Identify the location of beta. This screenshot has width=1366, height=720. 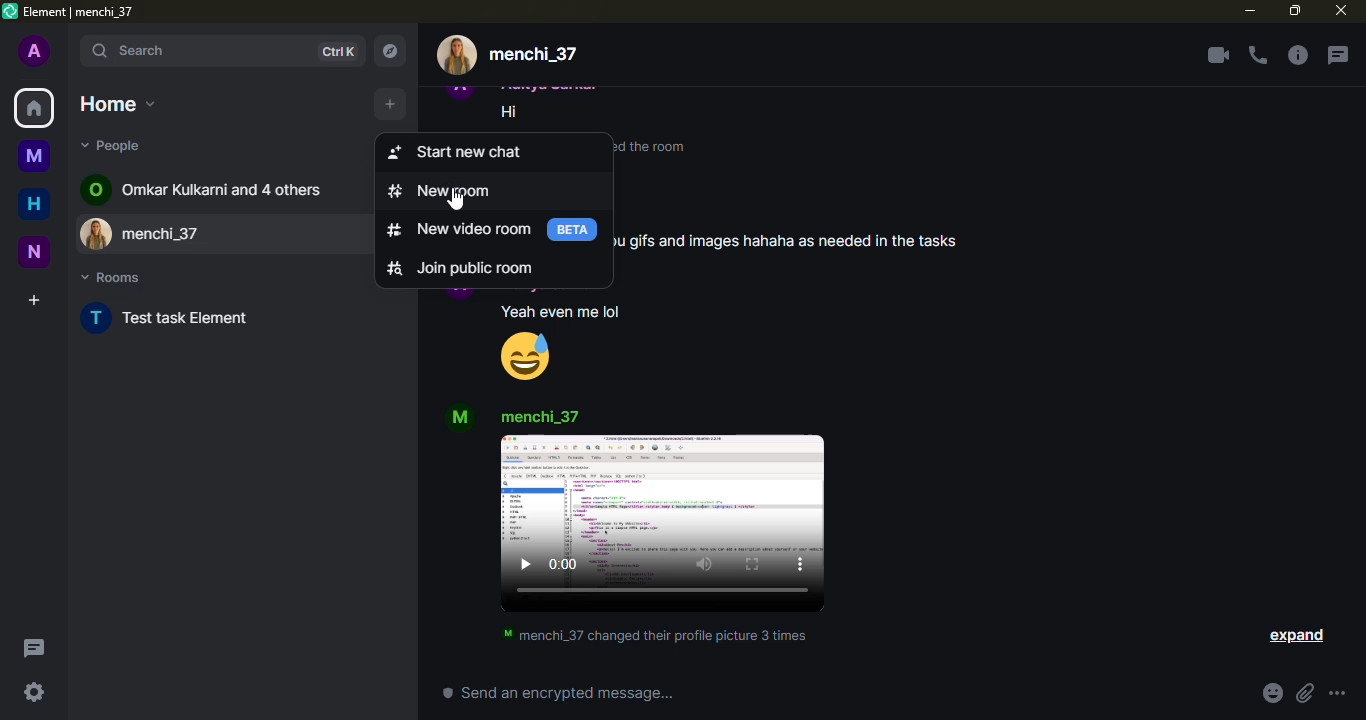
(572, 230).